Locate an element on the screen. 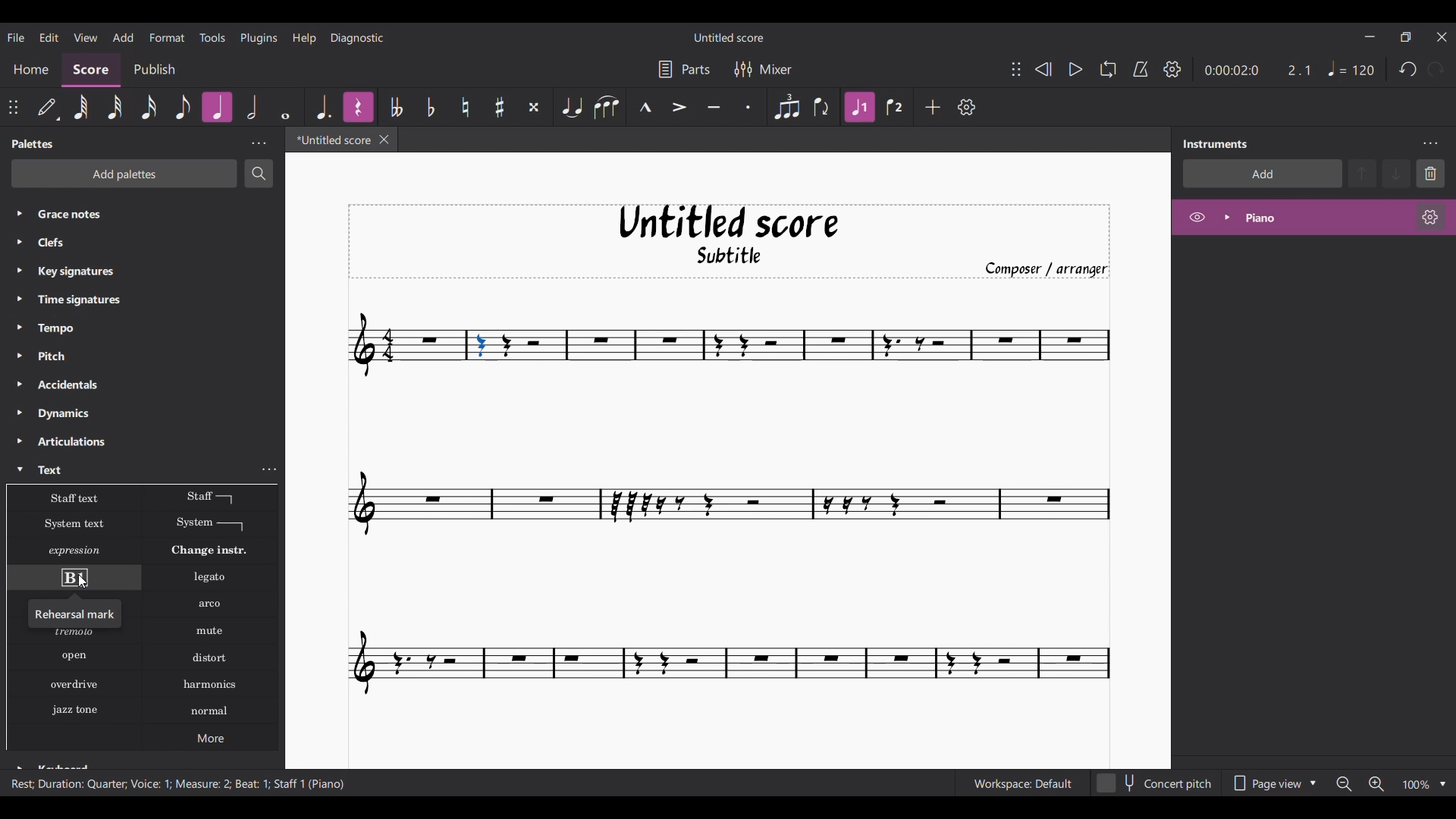  Highlighted after current selection is located at coordinates (356, 106).